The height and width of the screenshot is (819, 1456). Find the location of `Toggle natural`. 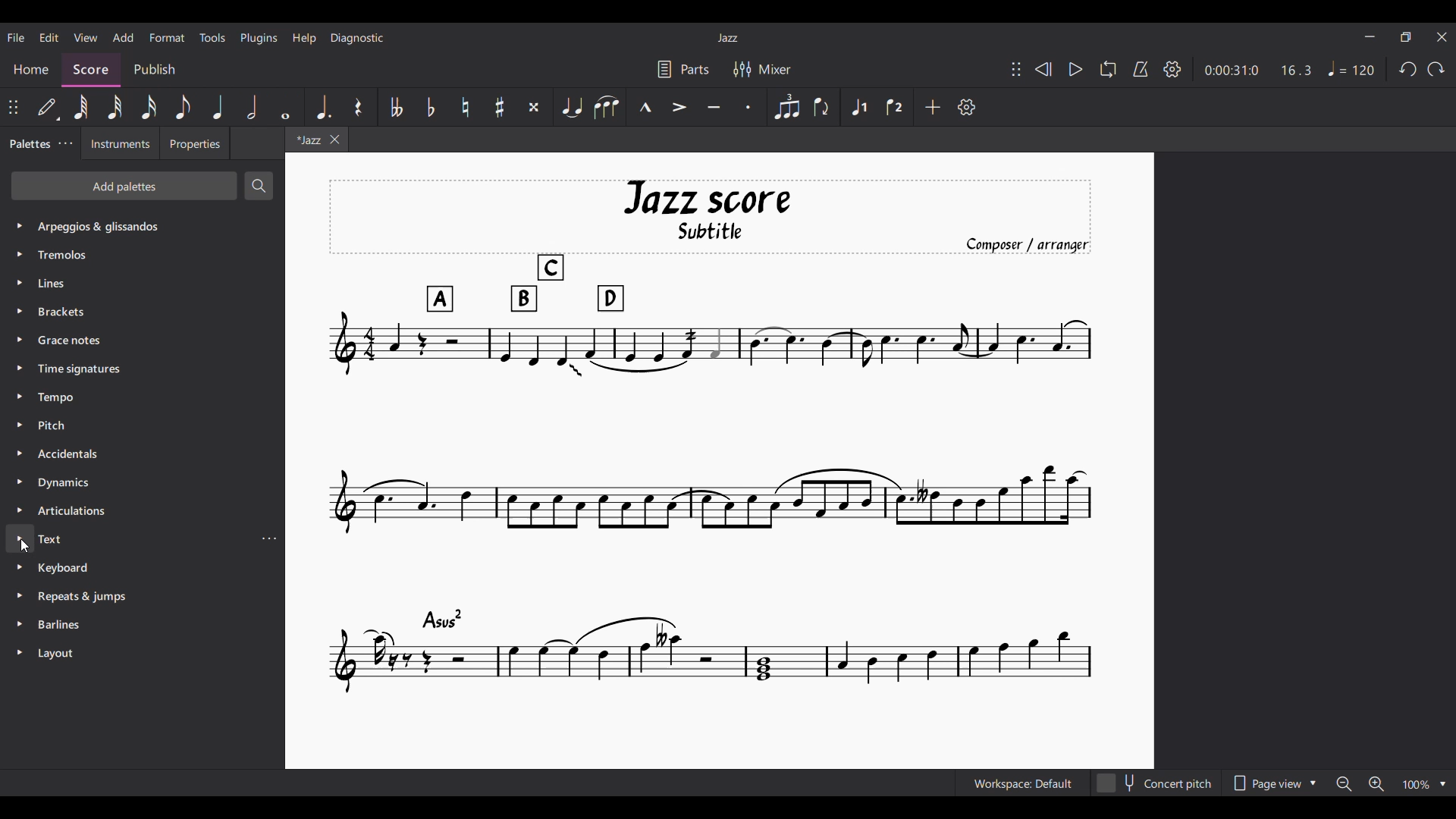

Toggle natural is located at coordinates (466, 107).